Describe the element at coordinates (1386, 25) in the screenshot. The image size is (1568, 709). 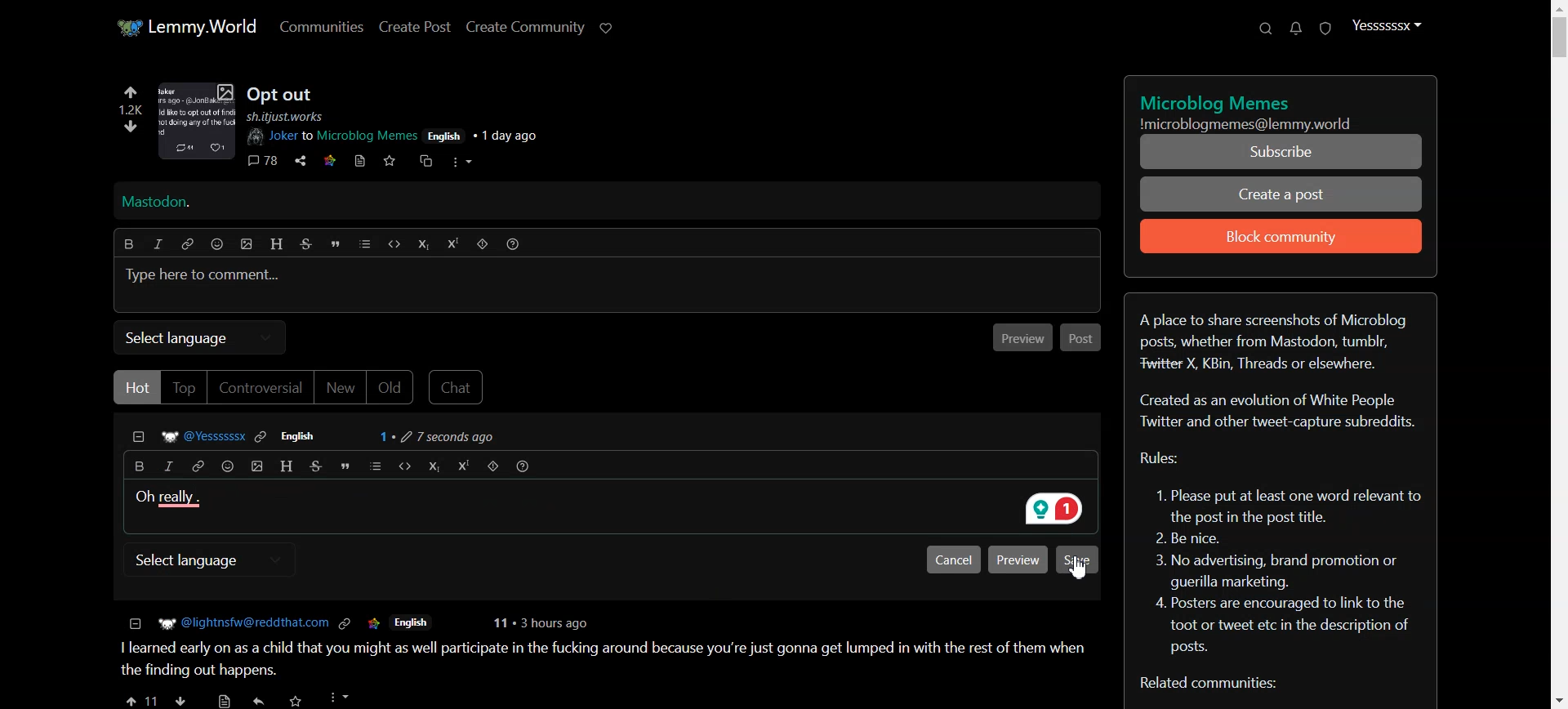
I see `Profile` at that location.